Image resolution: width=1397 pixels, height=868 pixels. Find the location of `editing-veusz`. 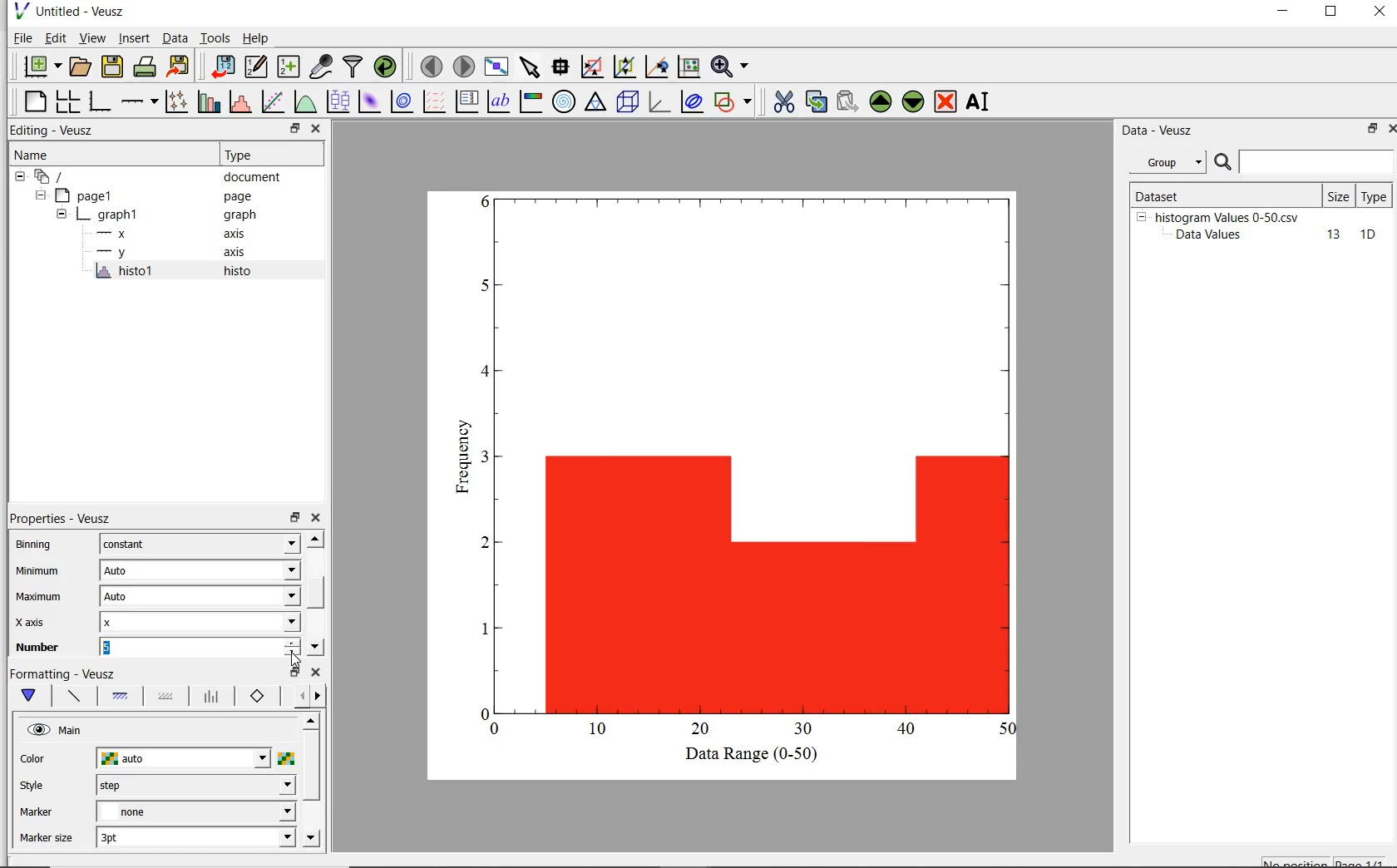

editing-veusz is located at coordinates (52, 131).